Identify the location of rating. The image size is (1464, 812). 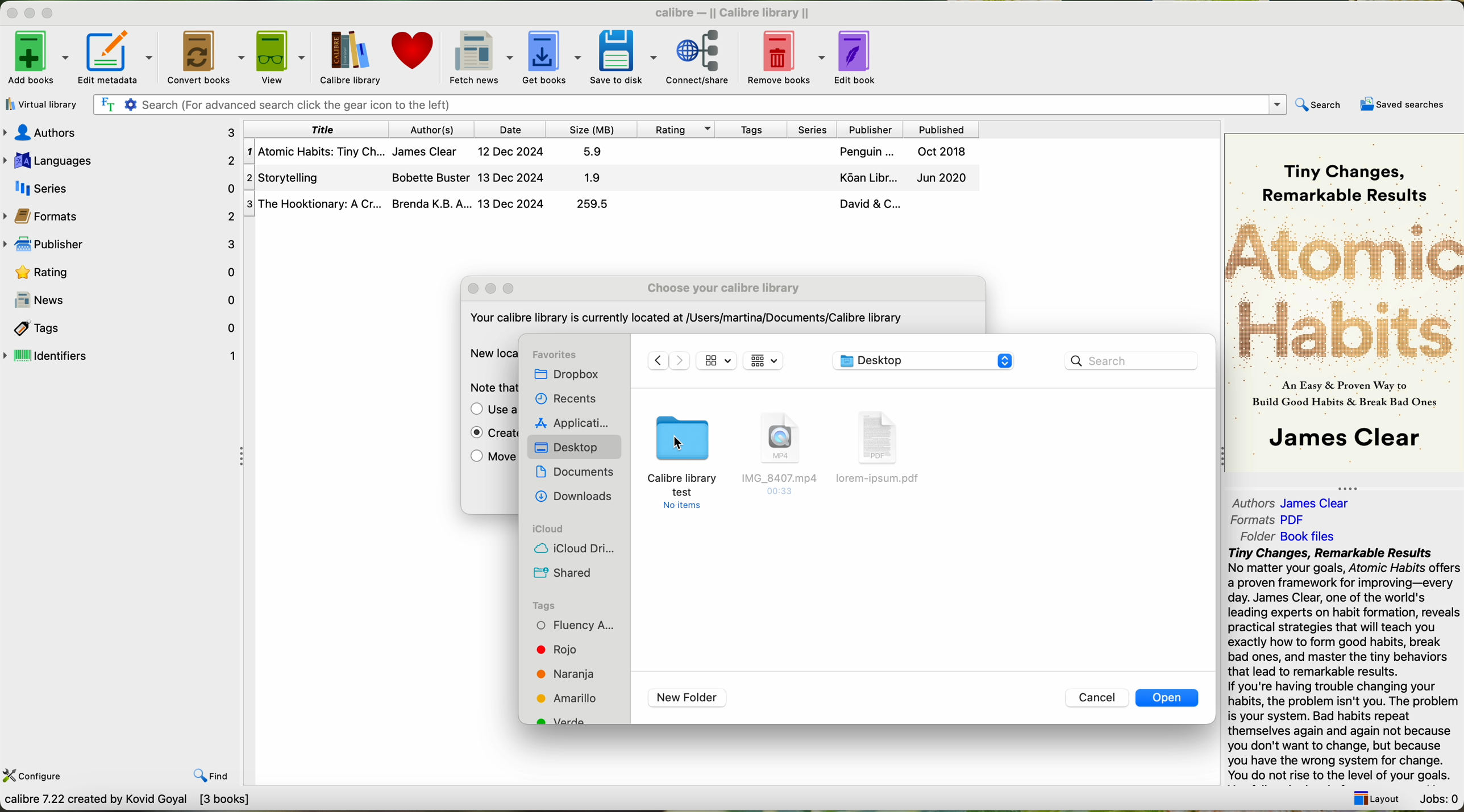
(673, 128).